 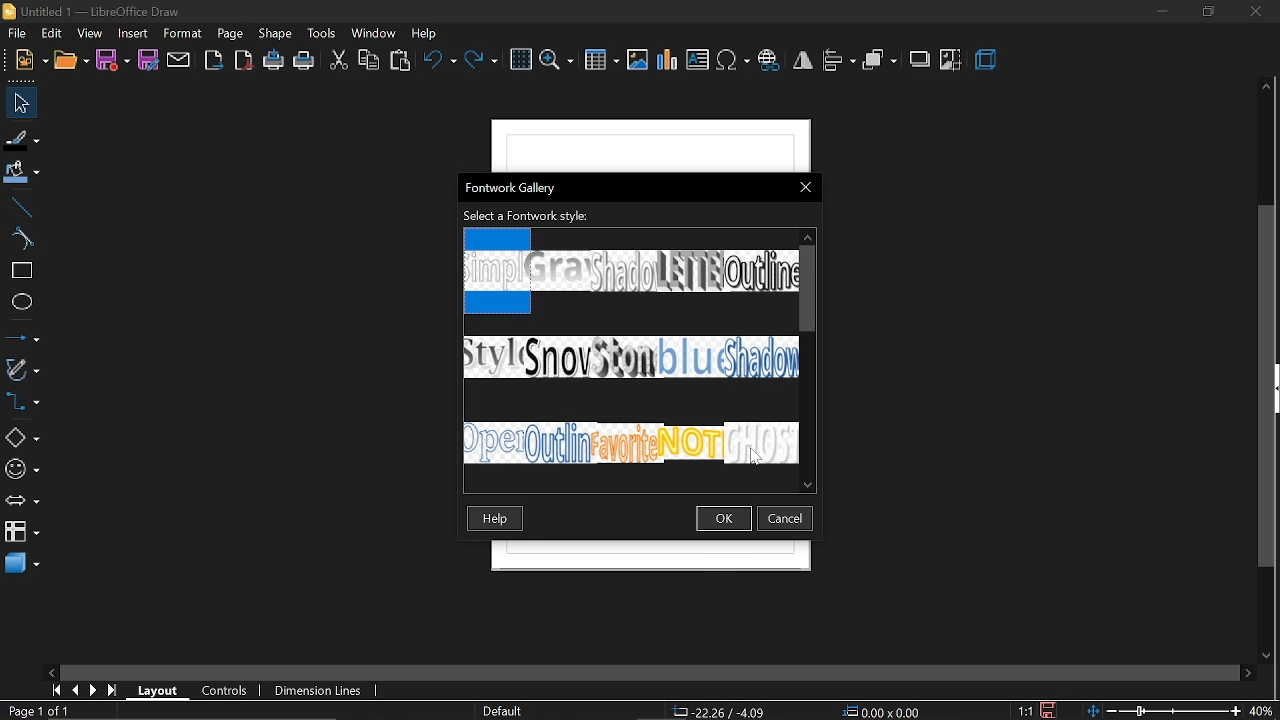 I want to click on curves and polygons, so click(x=22, y=368).